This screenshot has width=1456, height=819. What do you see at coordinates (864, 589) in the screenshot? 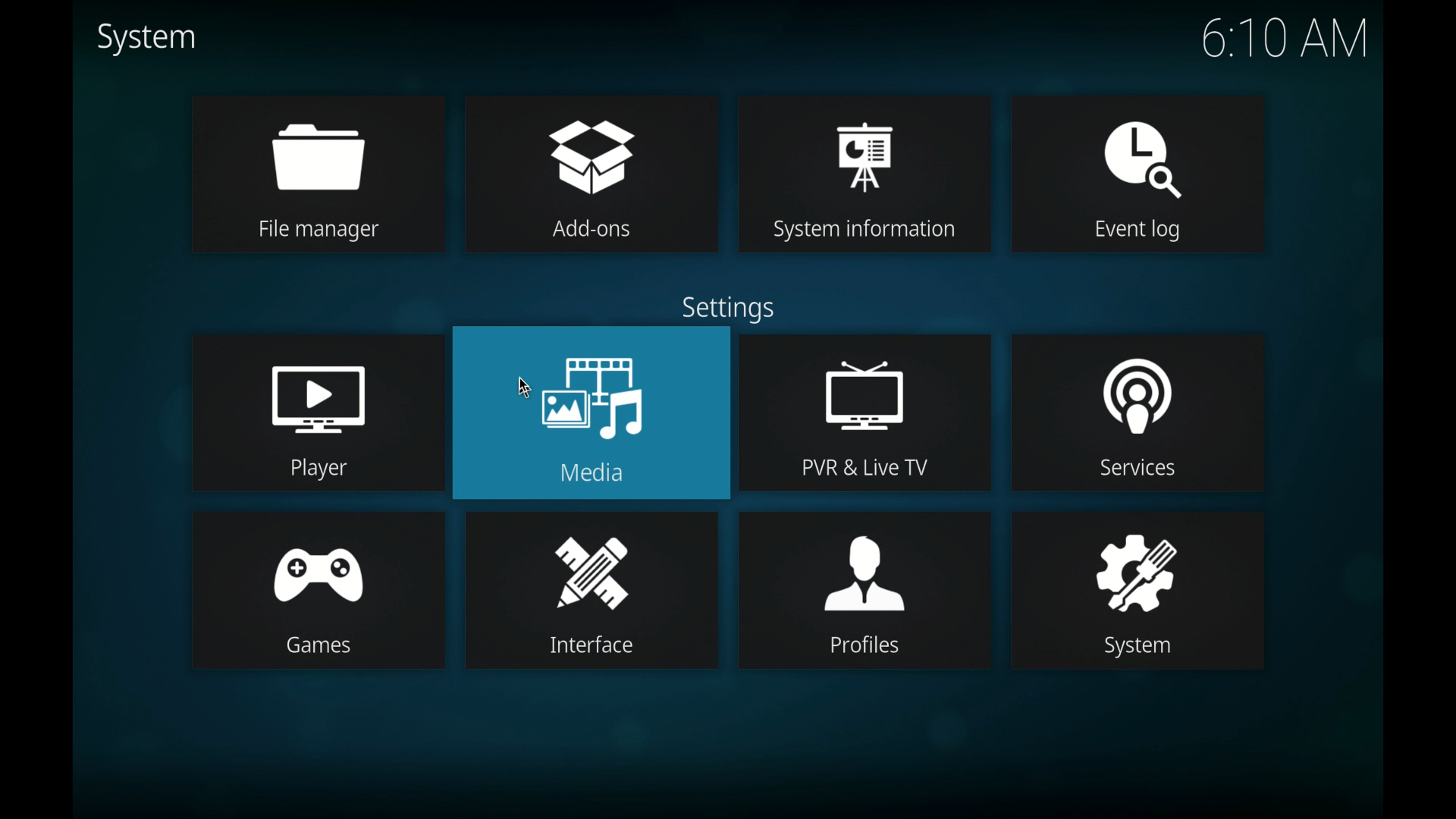
I see `profiles` at bounding box center [864, 589].